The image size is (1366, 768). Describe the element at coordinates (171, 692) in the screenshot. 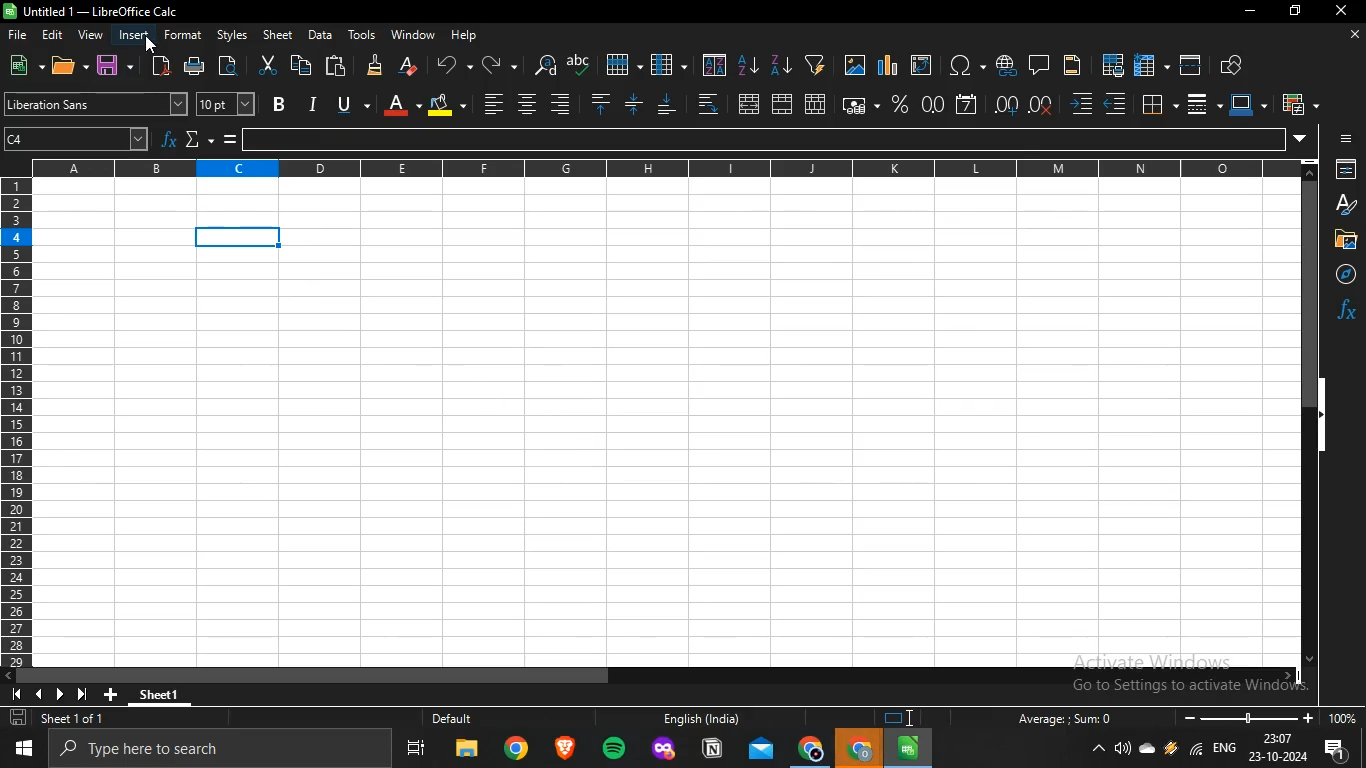

I see `sheet1` at that location.